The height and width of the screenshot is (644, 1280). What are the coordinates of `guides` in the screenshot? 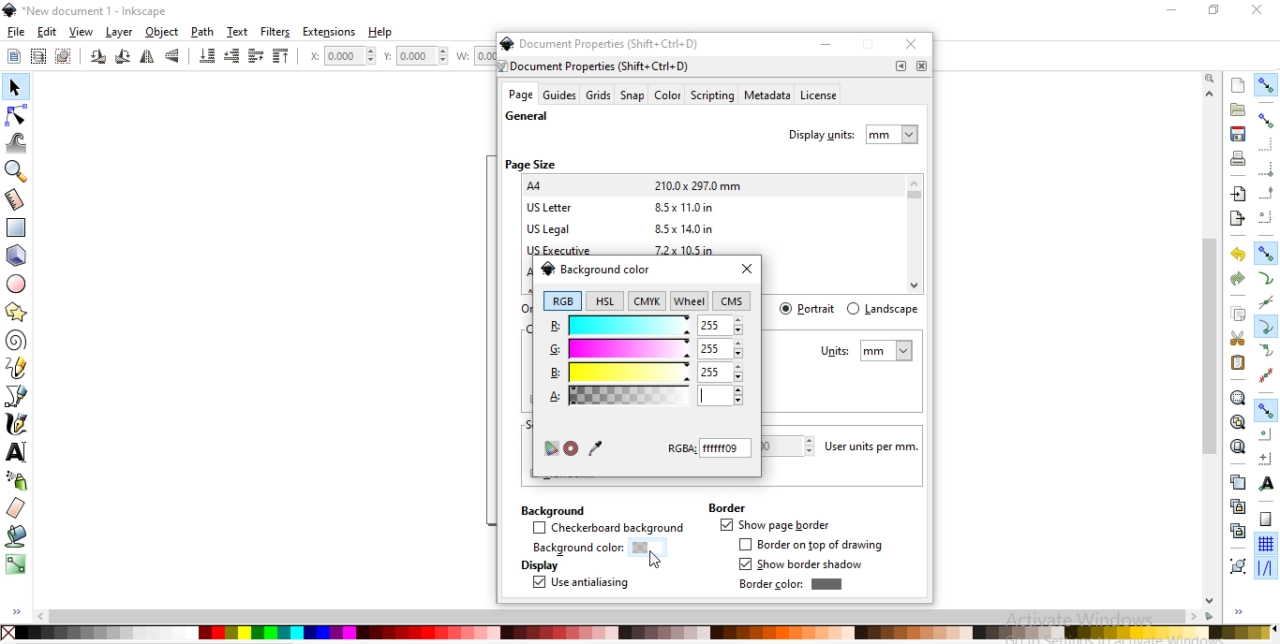 It's located at (560, 95).